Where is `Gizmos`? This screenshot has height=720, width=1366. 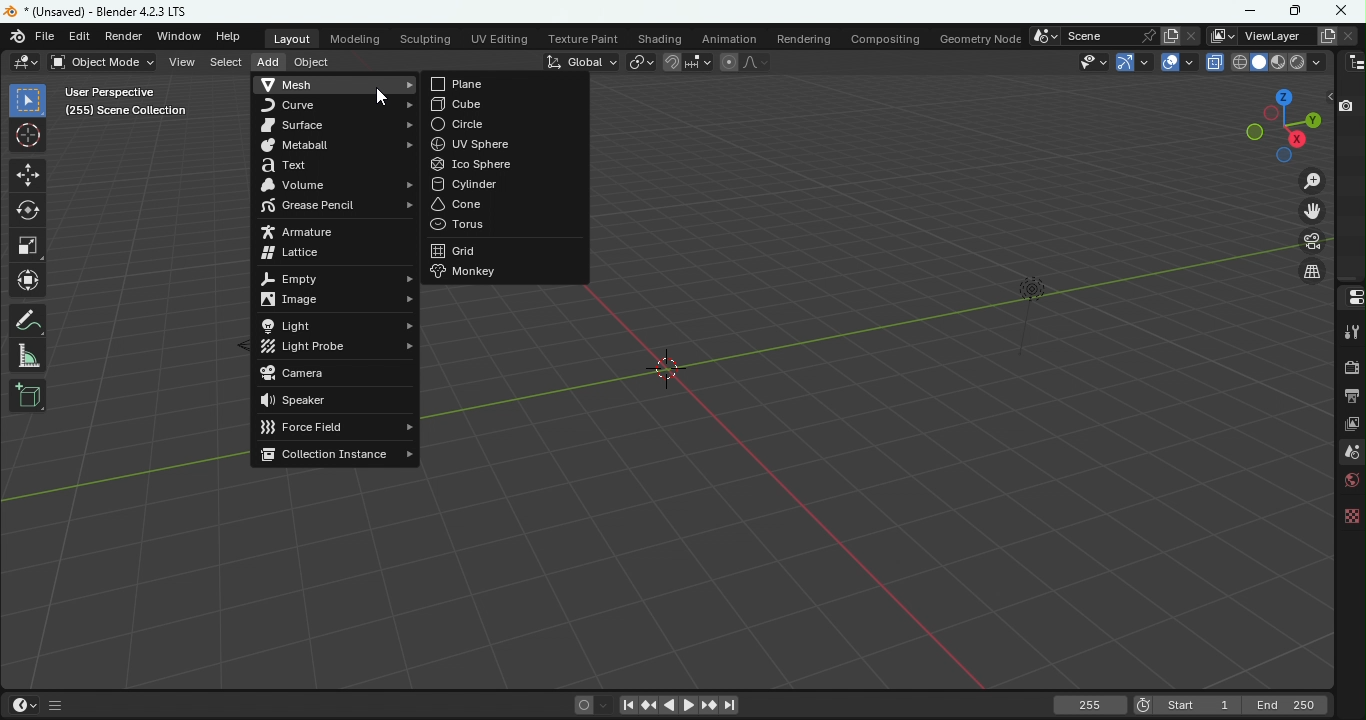 Gizmos is located at coordinates (1146, 60).